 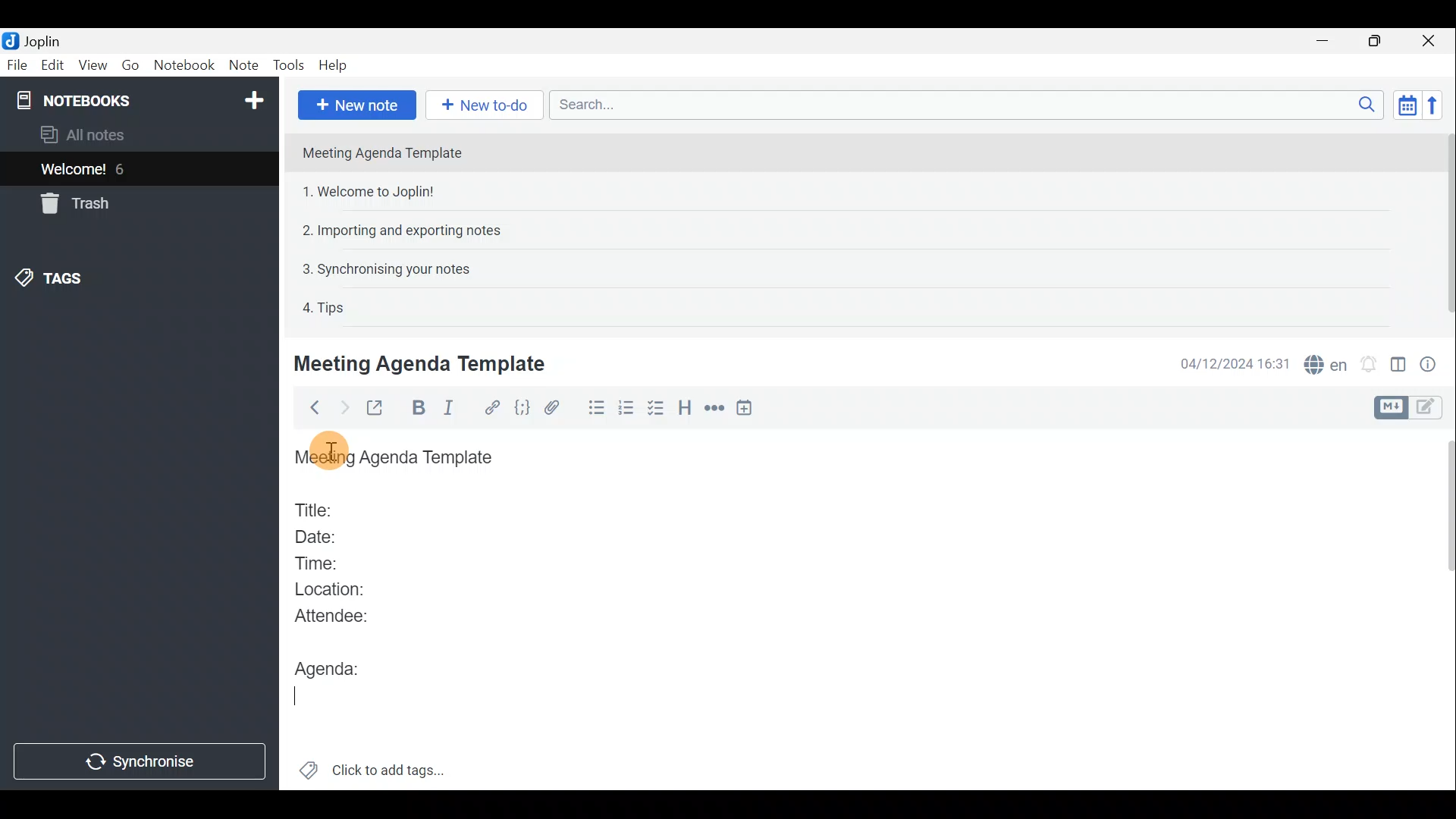 I want to click on Toggle editors, so click(x=1429, y=409).